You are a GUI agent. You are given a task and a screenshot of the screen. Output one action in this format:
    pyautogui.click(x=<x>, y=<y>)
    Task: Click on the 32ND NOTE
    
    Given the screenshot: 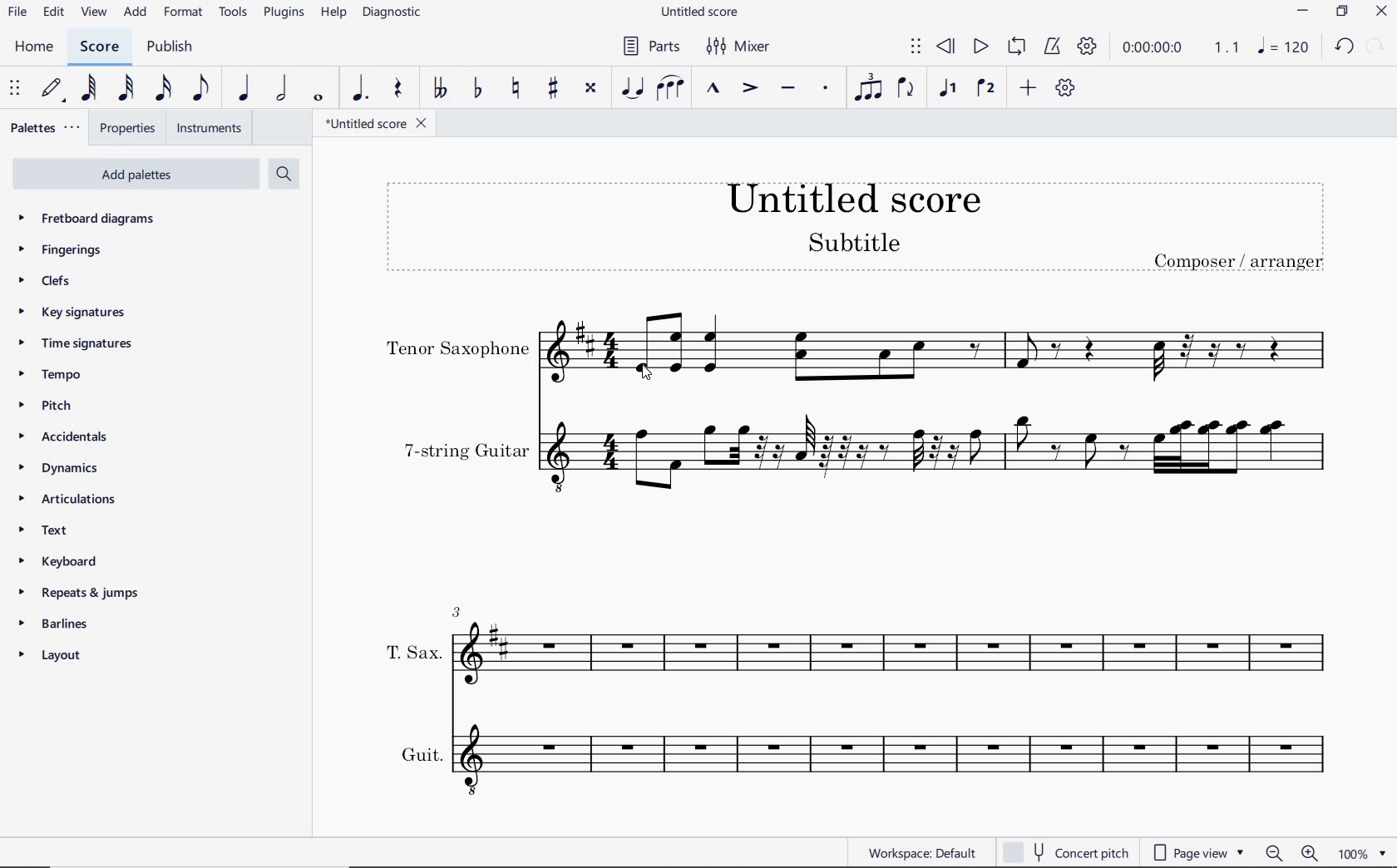 What is the action you would take?
    pyautogui.click(x=125, y=88)
    